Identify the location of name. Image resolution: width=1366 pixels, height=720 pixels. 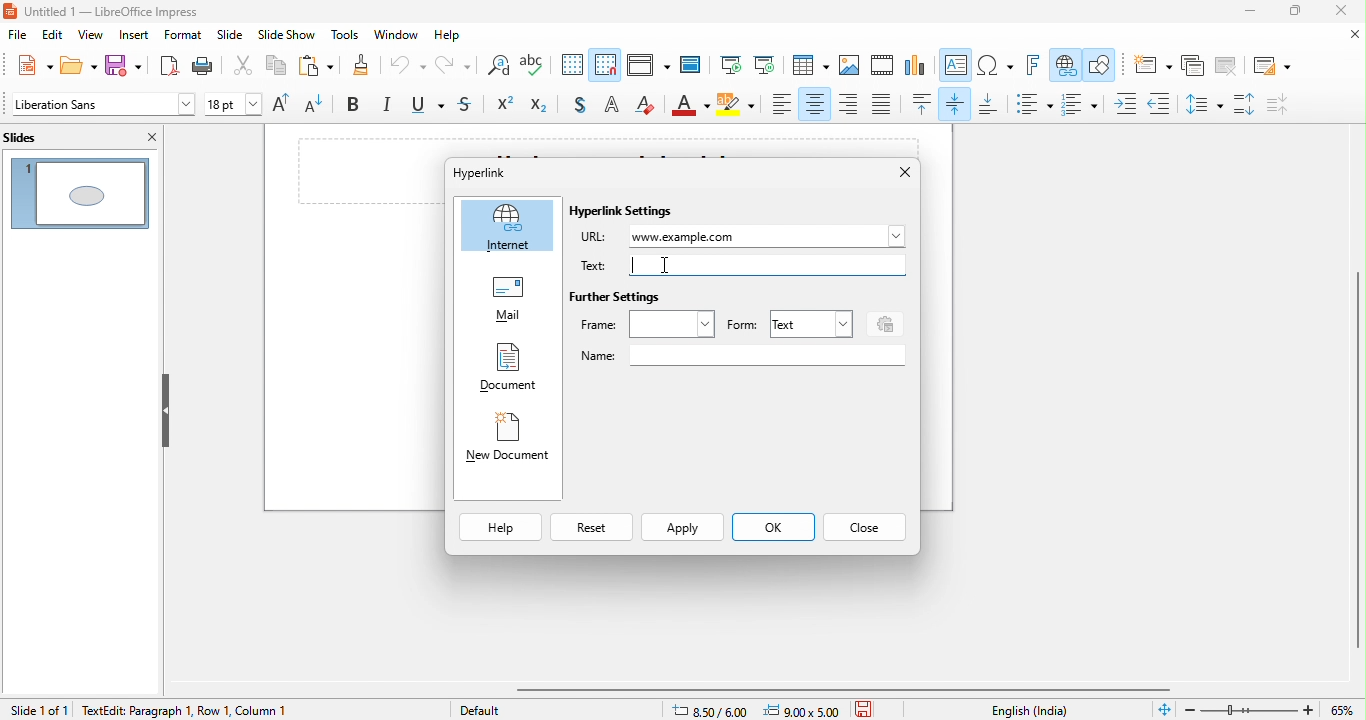
(742, 356).